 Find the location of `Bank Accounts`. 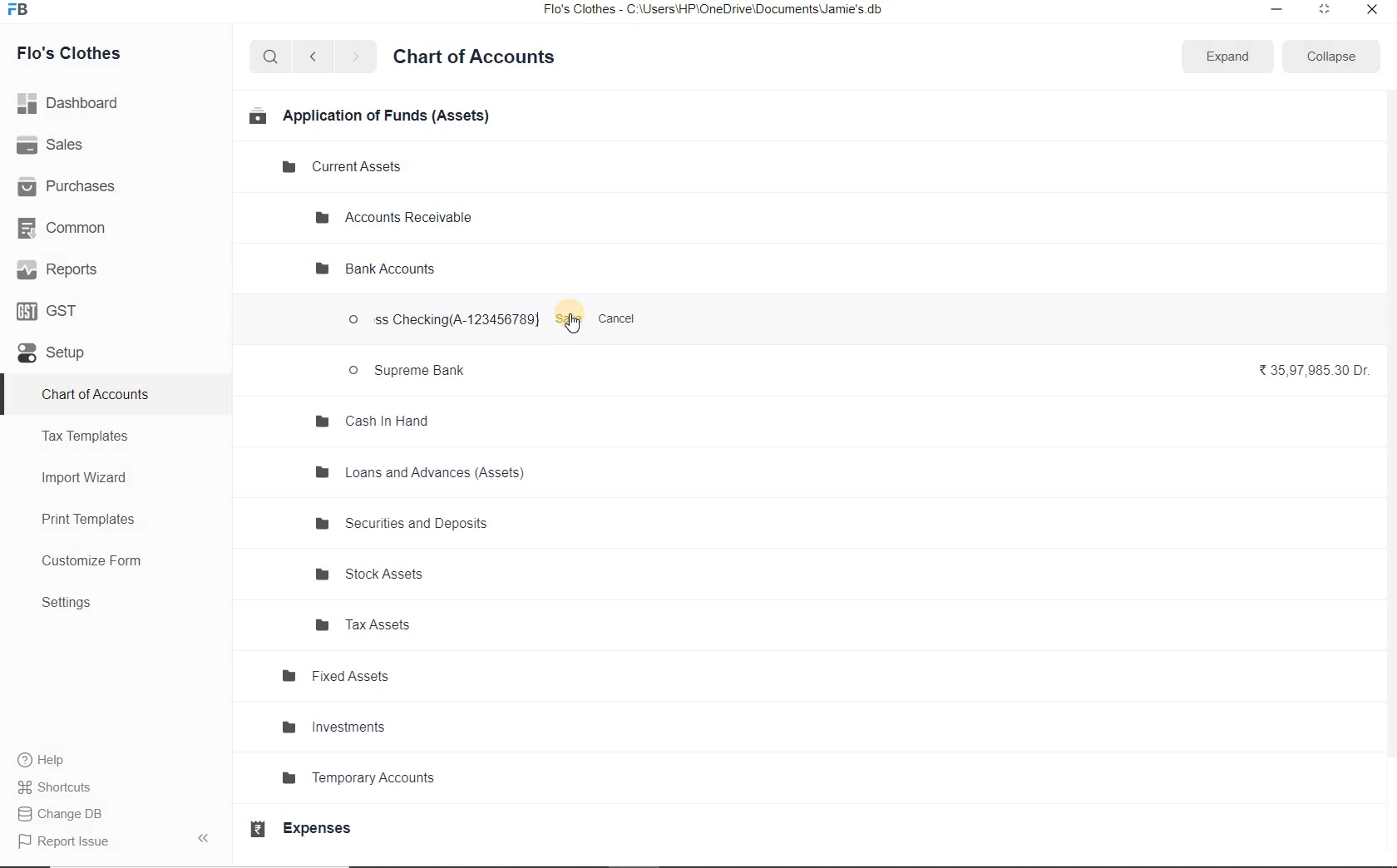

Bank Accounts is located at coordinates (378, 271).